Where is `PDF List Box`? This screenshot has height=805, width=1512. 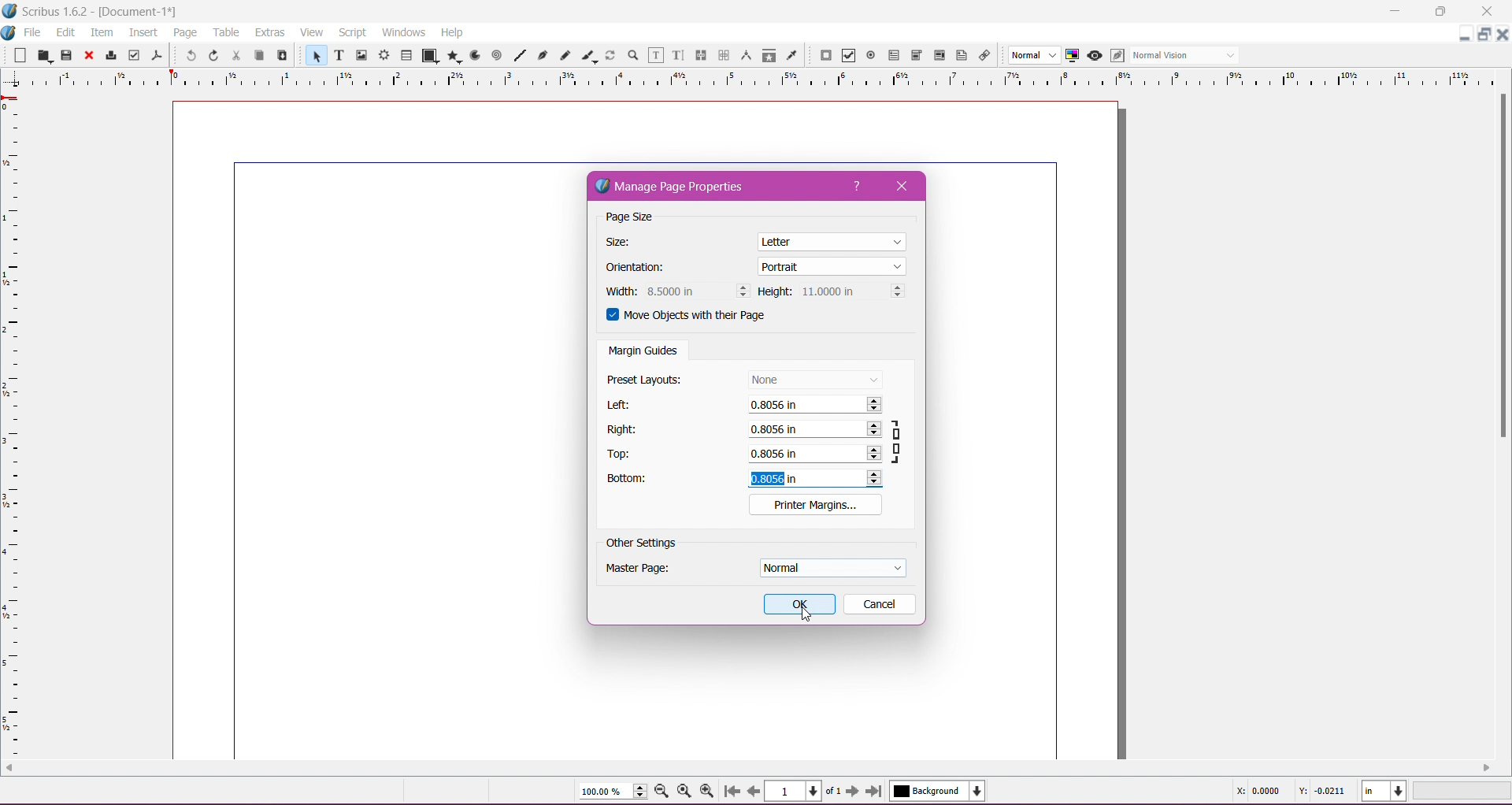 PDF List Box is located at coordinates (939, 55).